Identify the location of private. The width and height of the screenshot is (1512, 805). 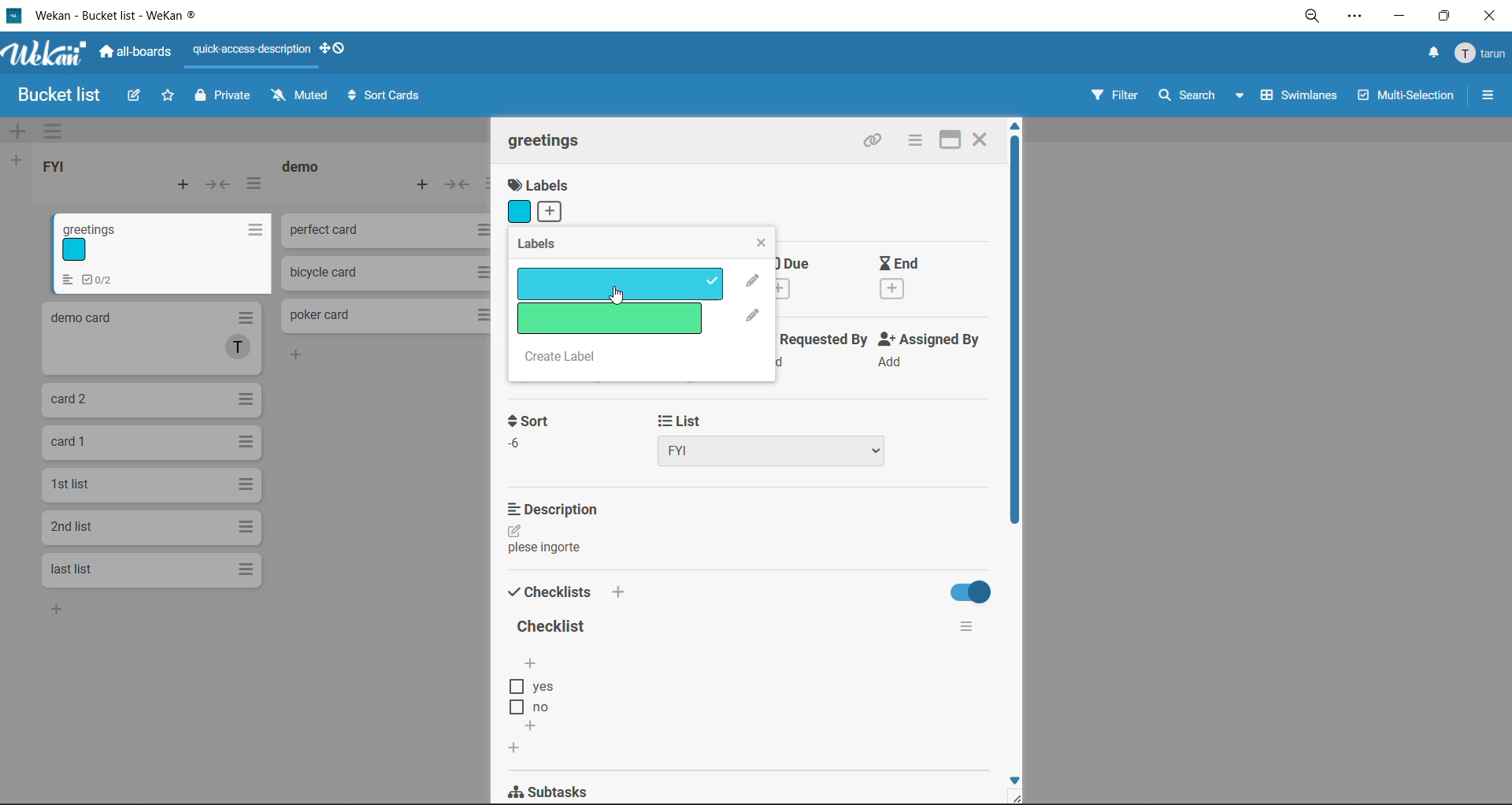
(222, 99).